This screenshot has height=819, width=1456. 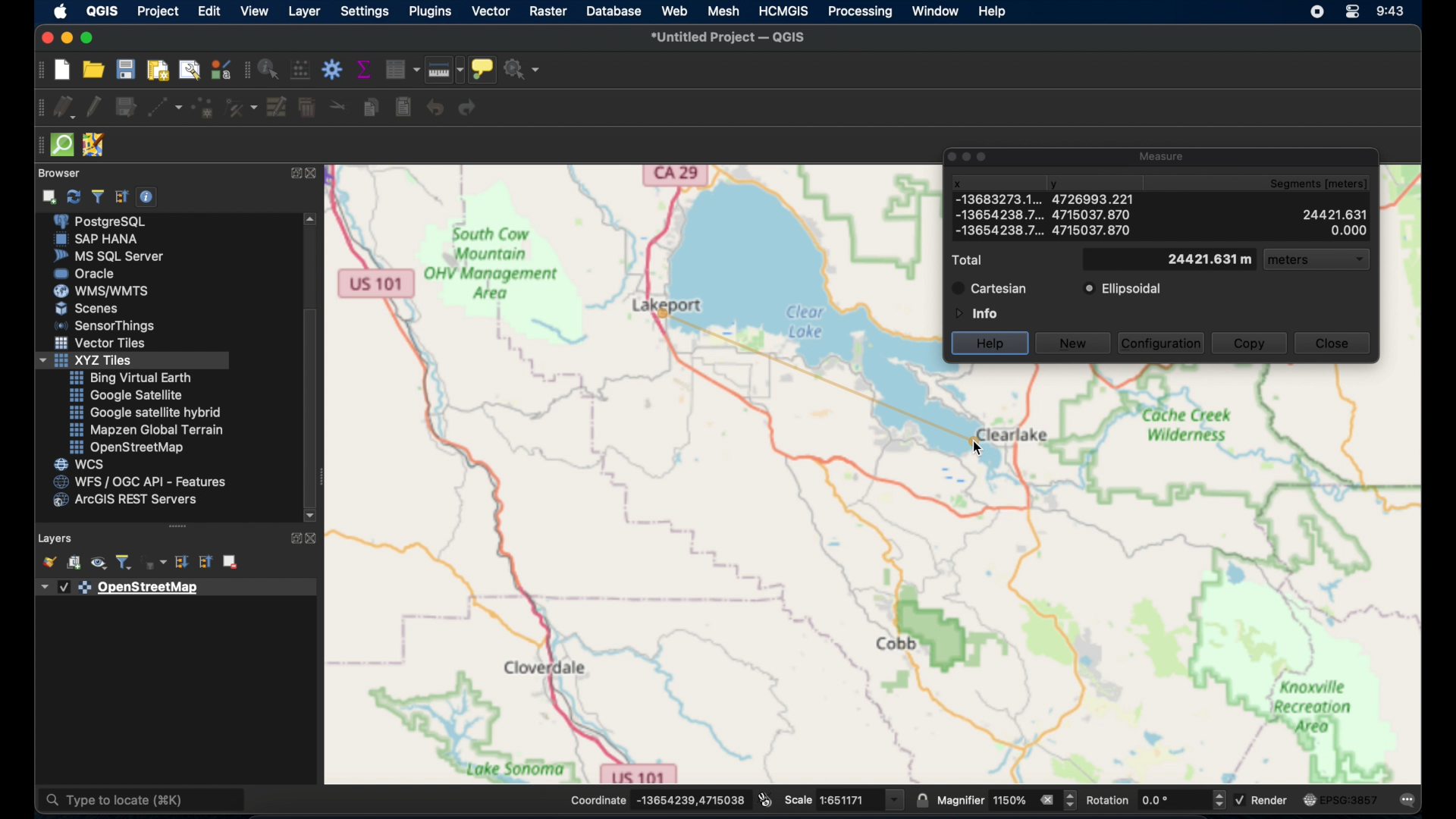 What do you see at coordinates (312, 404) in the screenshot?
I see `scroll box` at bounding box center [312, 404].